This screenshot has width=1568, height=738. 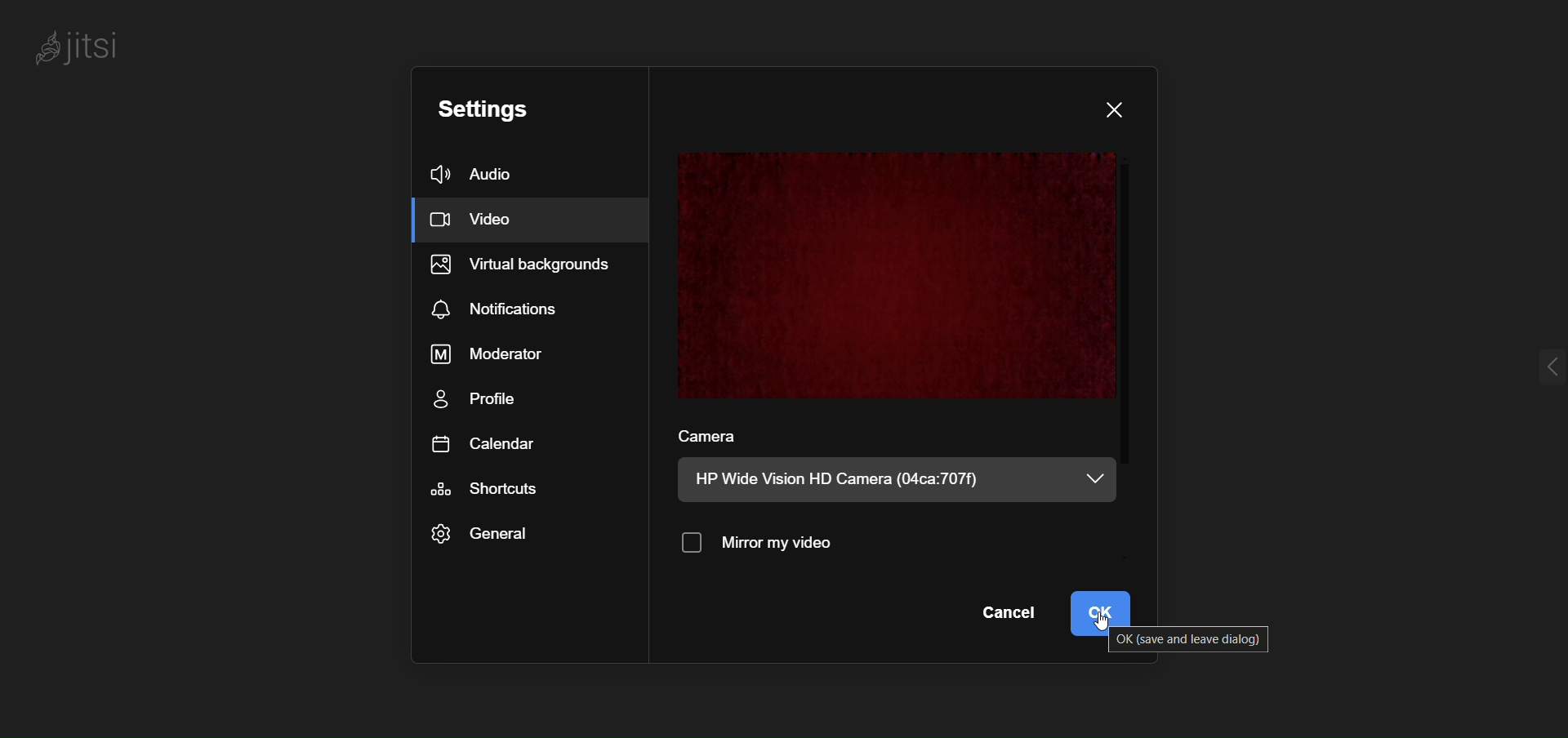 I want to click on camera, so click(x=720, y=438).